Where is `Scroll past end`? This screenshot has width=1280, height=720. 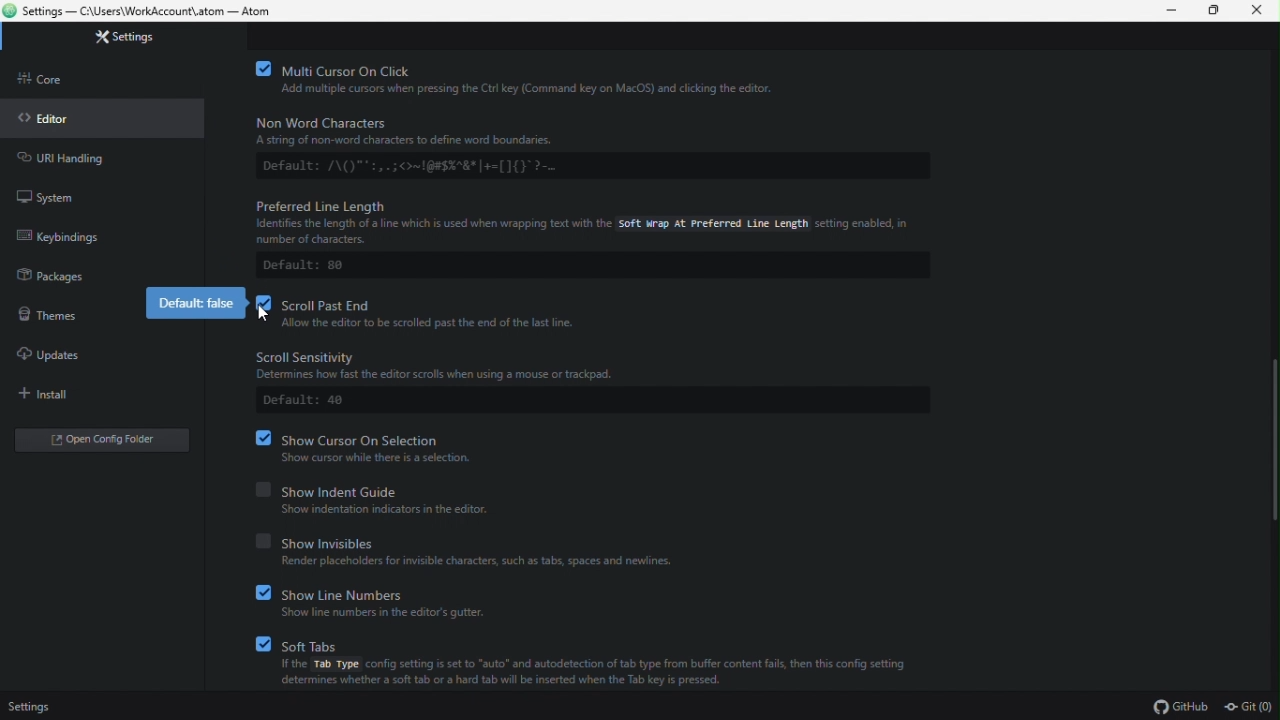 Scroll past end is located at coordinates (423, 303).